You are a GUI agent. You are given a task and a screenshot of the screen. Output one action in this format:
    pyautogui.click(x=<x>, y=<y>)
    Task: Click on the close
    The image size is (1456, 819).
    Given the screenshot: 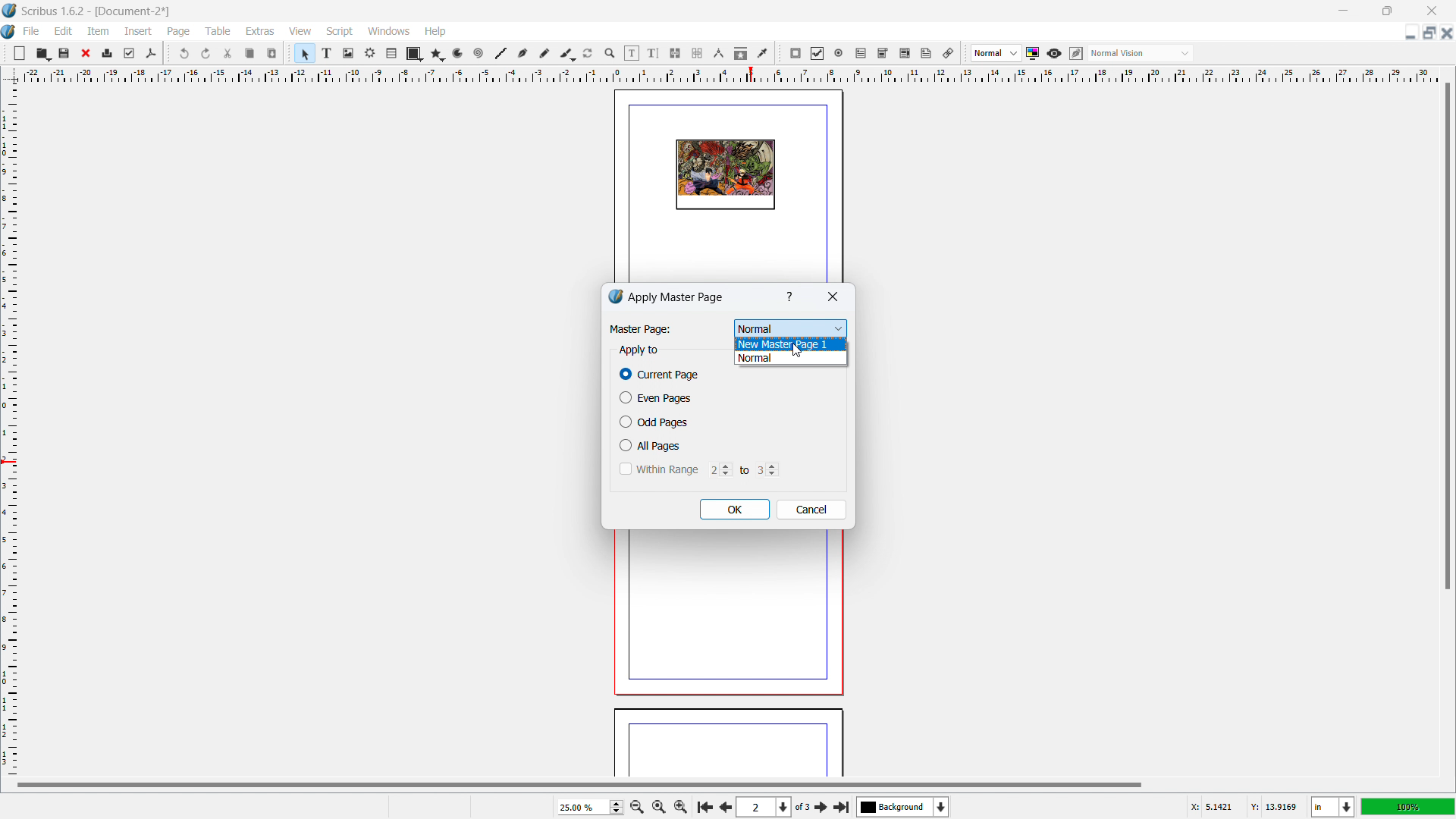 What is the action you would take?
    pyautogui.click(x=832, y=298)
    